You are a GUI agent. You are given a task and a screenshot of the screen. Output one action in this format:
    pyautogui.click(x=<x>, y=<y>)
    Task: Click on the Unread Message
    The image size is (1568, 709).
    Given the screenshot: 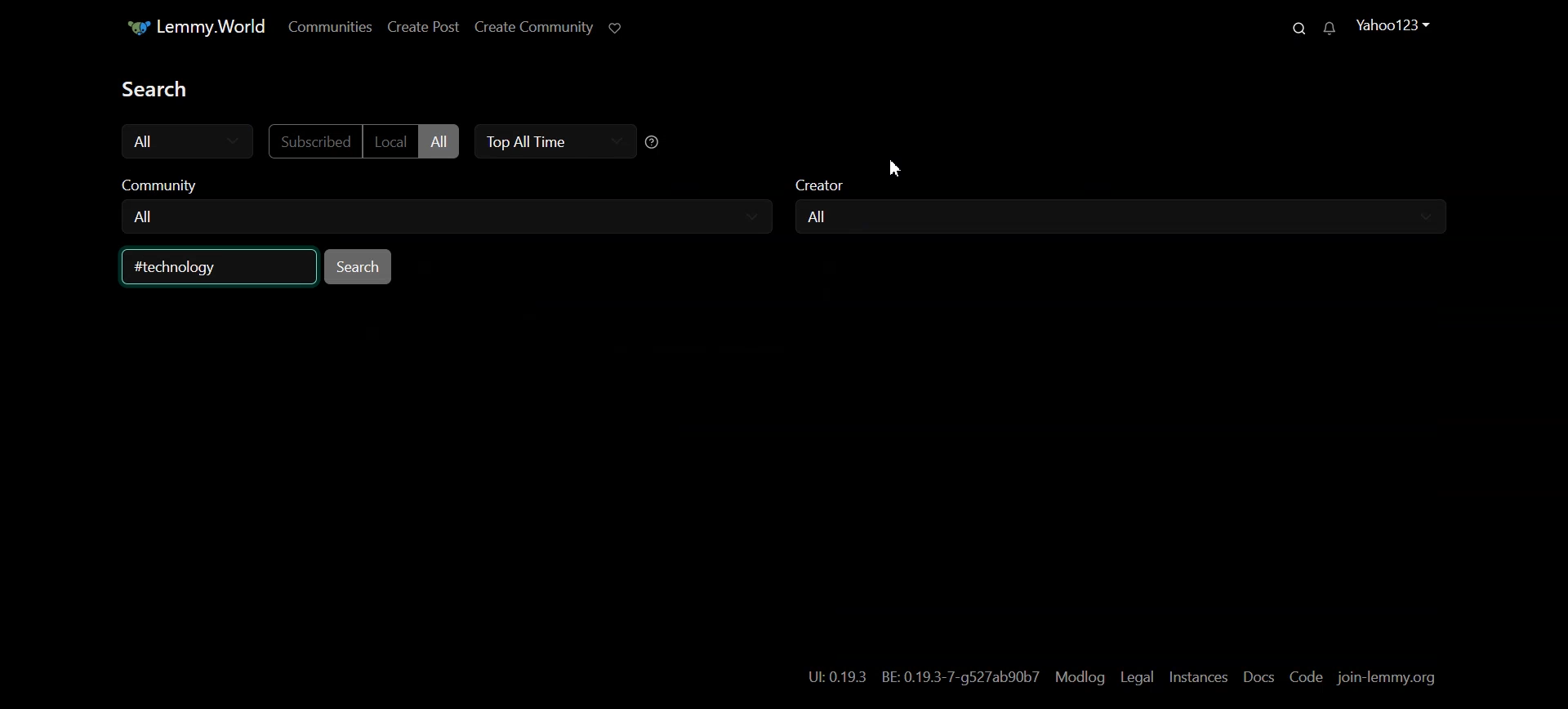 What is the action you would take?
    pyautogui.click(x=1329, y=29)
    